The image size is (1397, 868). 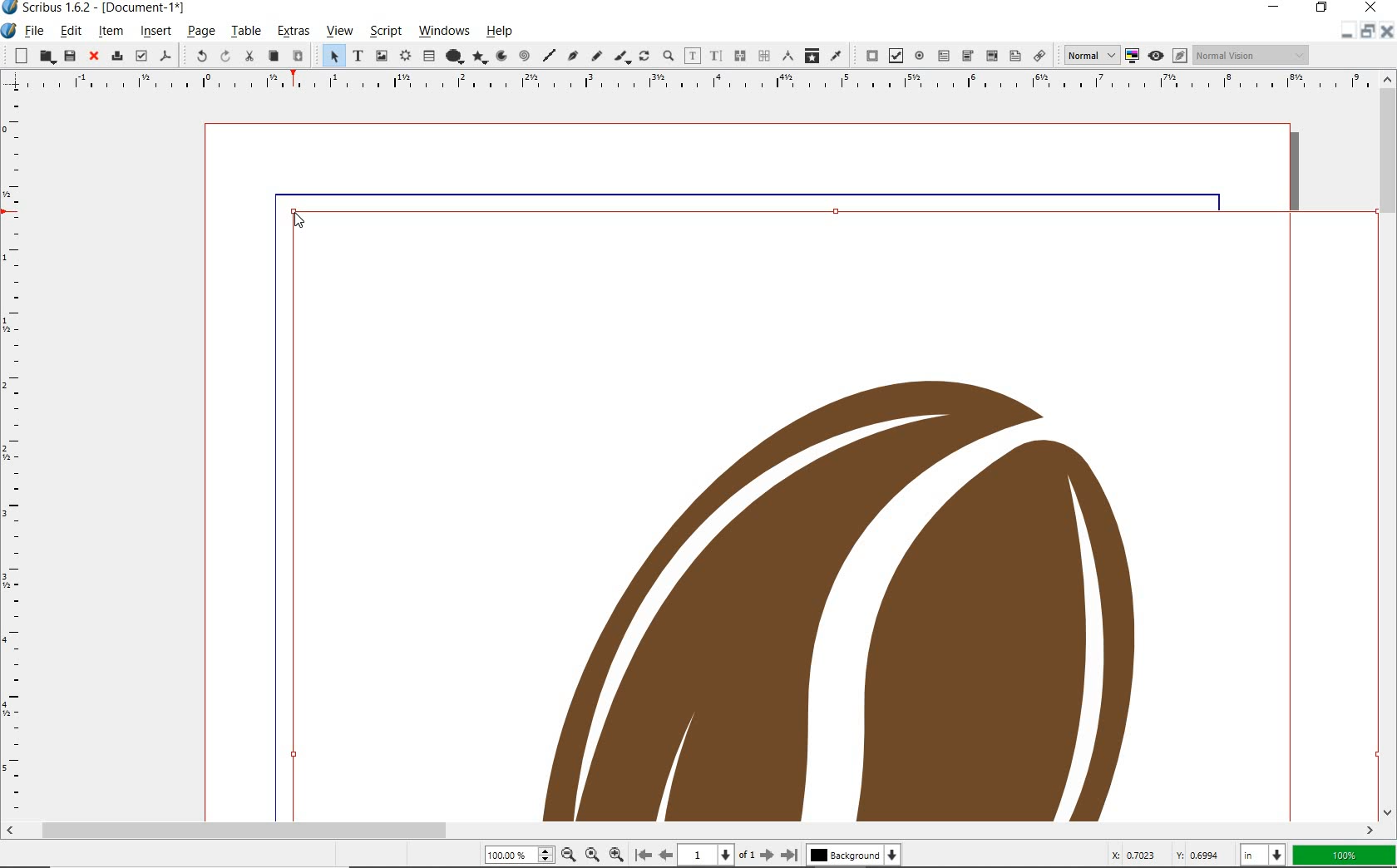 I want to click on Next Page, so click(x=768, y=856).